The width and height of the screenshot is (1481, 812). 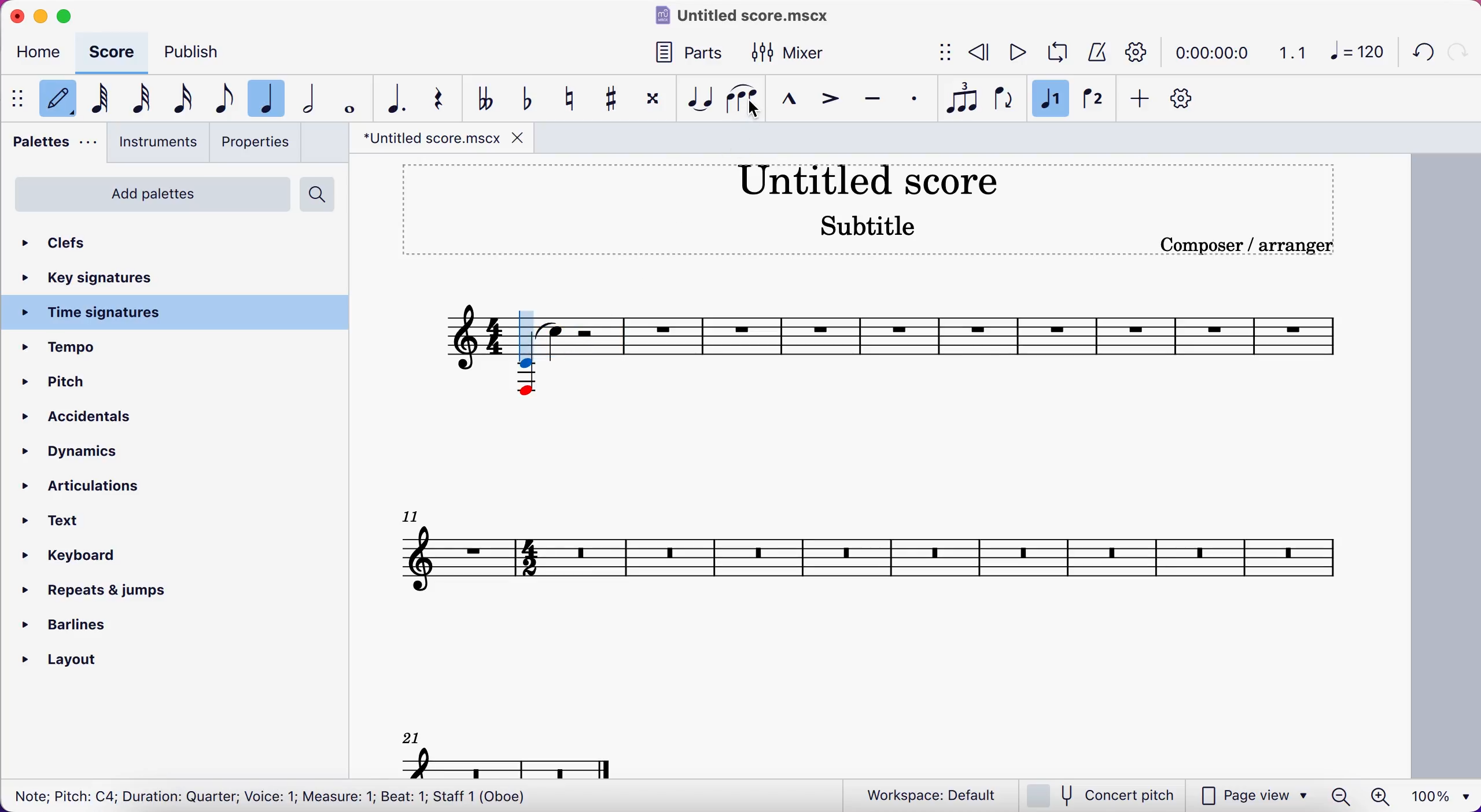 What do you see at coordinates (401, 98) in the screenshot?
I see `augmentation dot` at bounding box center [401, 98].